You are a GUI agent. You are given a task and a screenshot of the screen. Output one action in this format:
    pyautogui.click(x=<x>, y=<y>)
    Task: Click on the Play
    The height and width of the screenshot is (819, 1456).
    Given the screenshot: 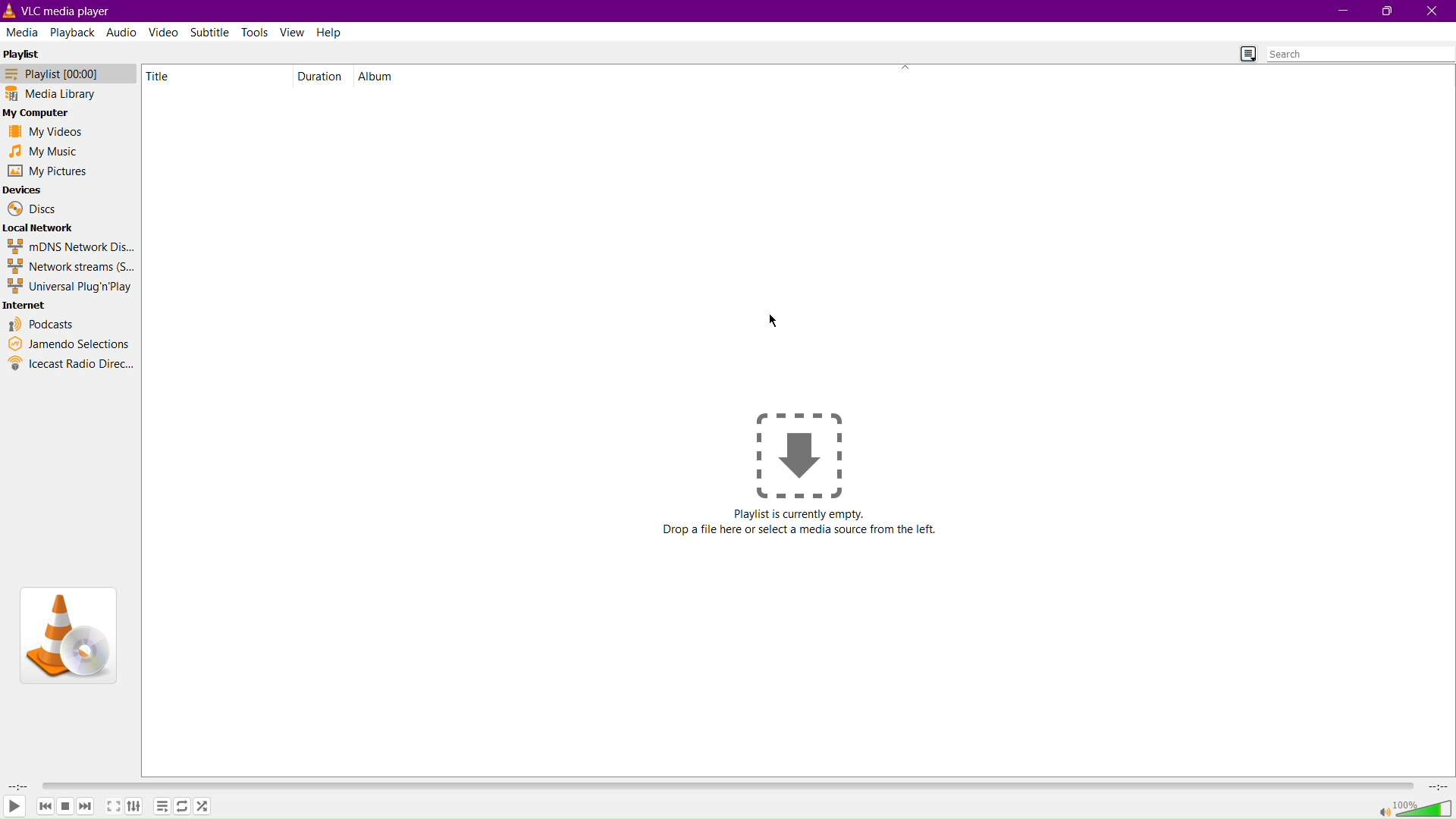 What is the action you would take?
    pyautogui.click(x=14, y=808)
    